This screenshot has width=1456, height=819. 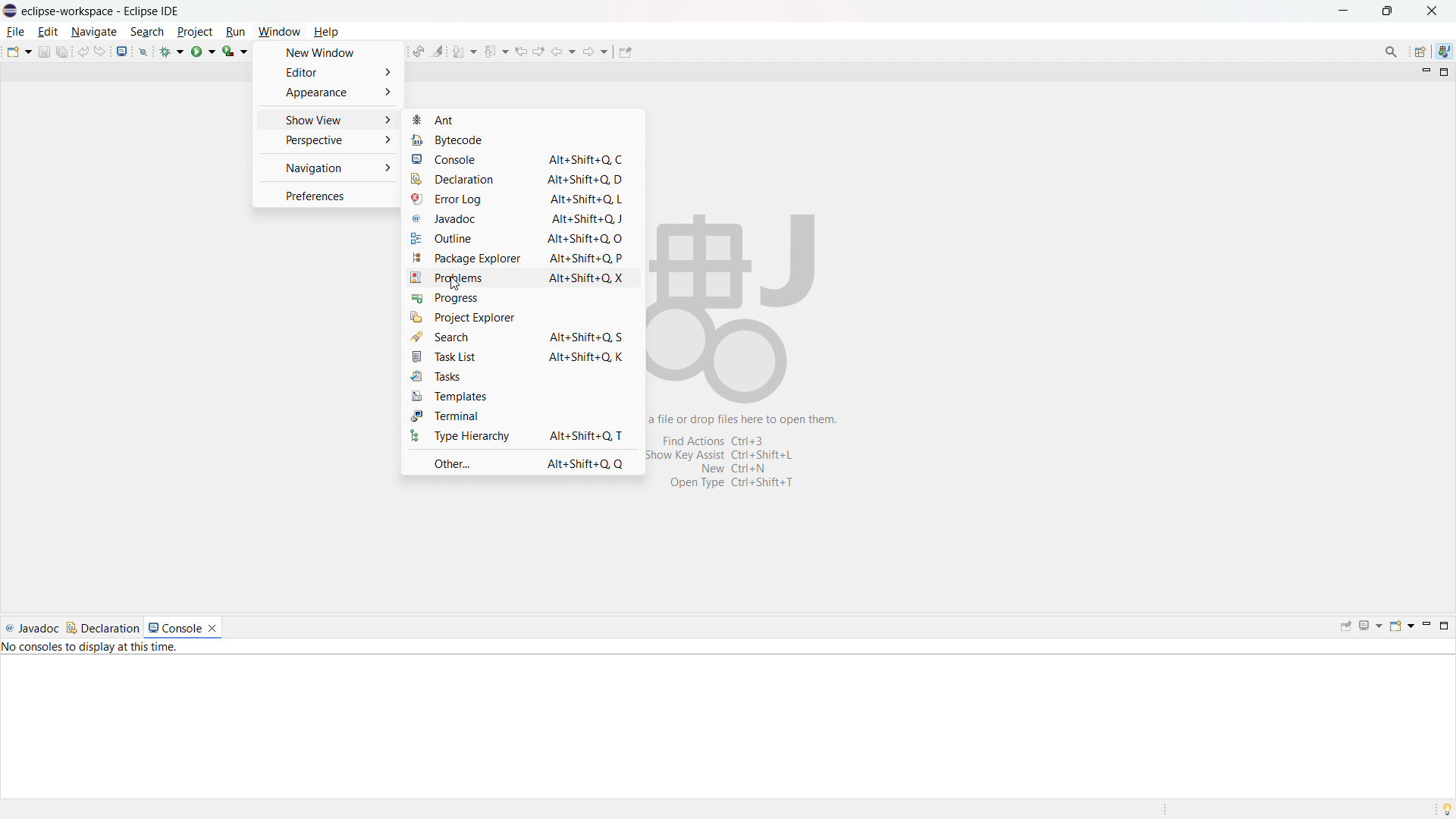 What do you see at coordinates (10, 11) in the screenshot?
I see `logo` at bounding box center [10, 11].